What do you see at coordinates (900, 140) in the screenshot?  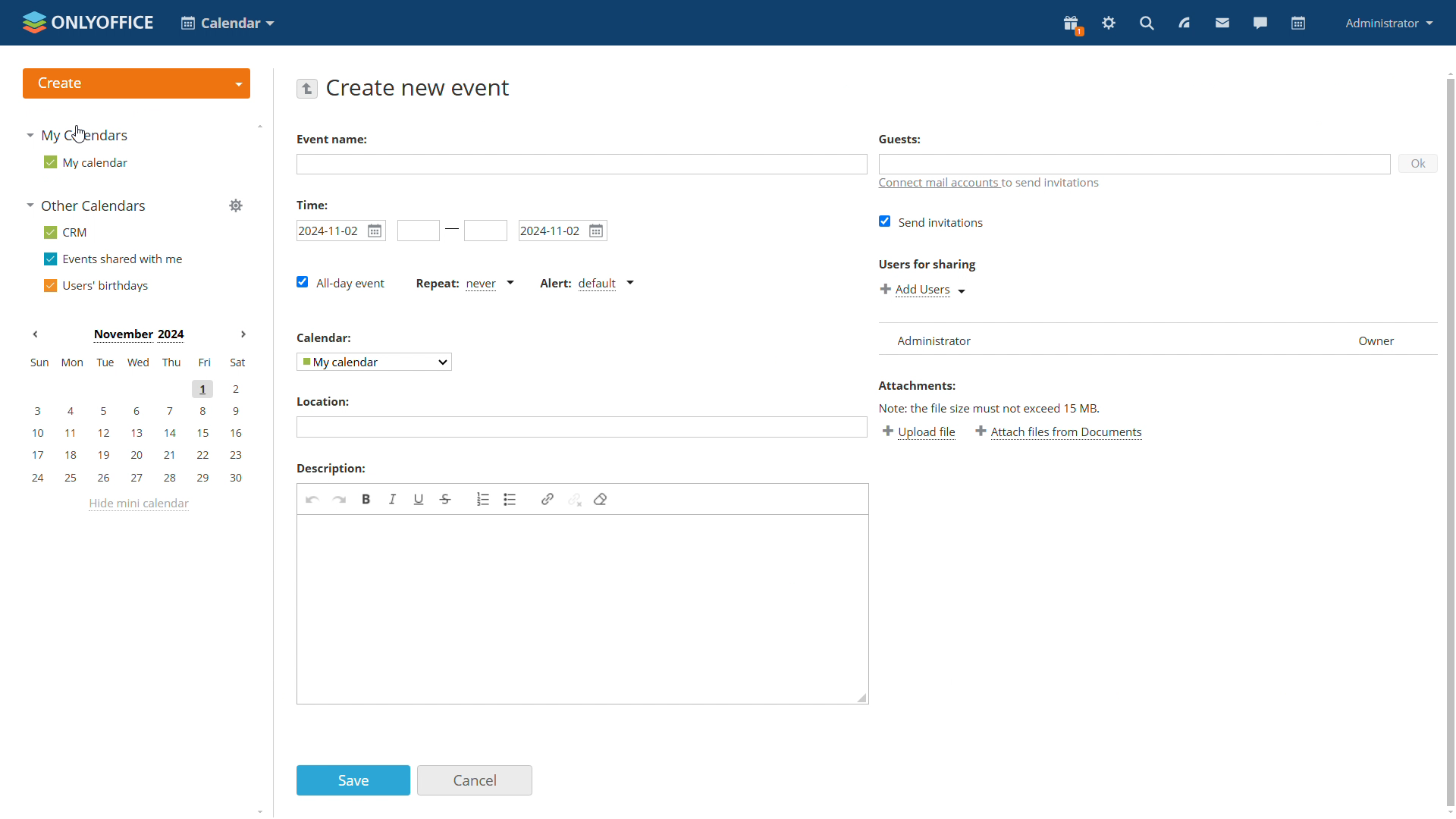 I see `Guests` at bounding box center [900, 140].